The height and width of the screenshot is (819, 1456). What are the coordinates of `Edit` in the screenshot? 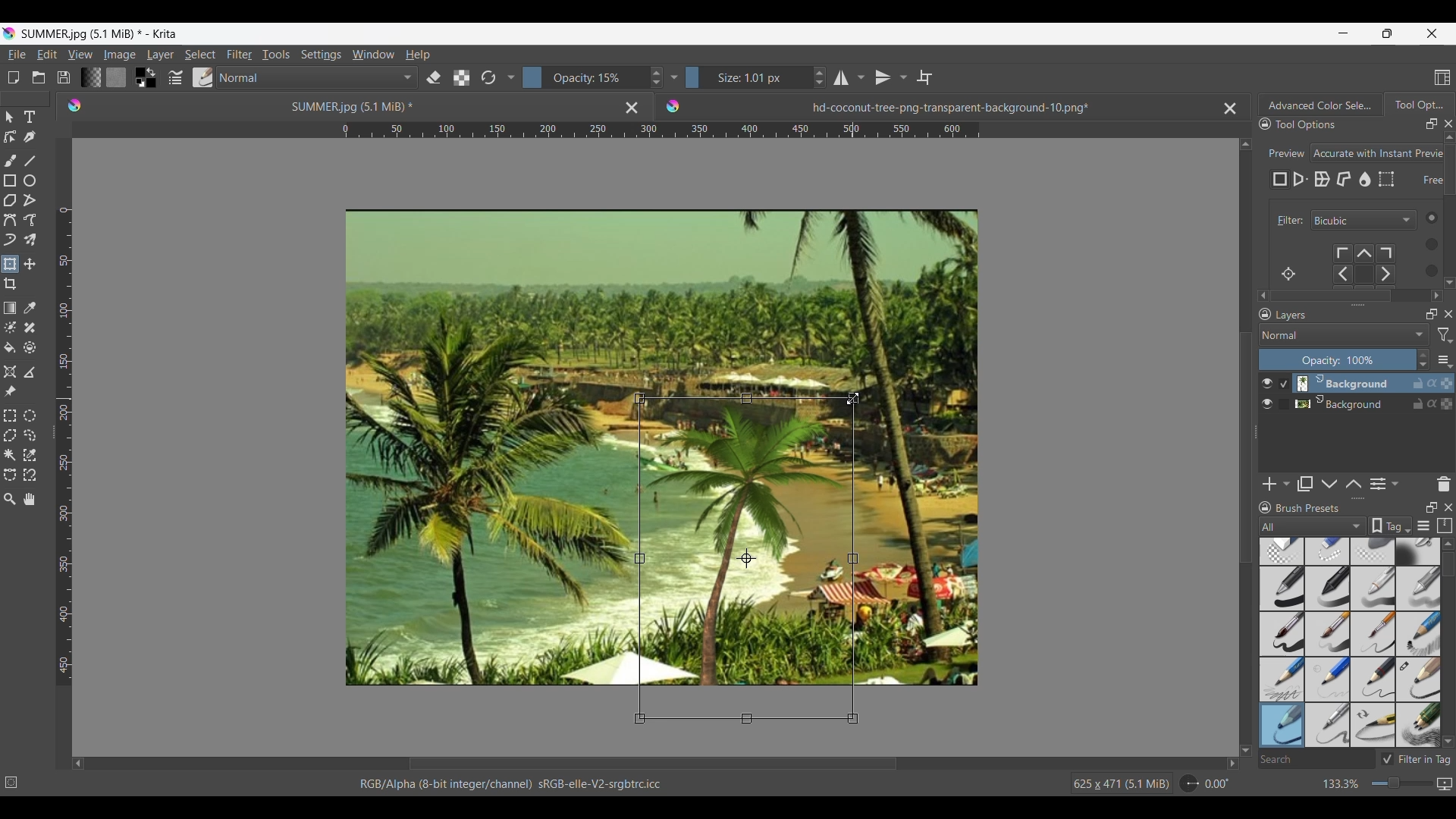 It's located at (46, 54).